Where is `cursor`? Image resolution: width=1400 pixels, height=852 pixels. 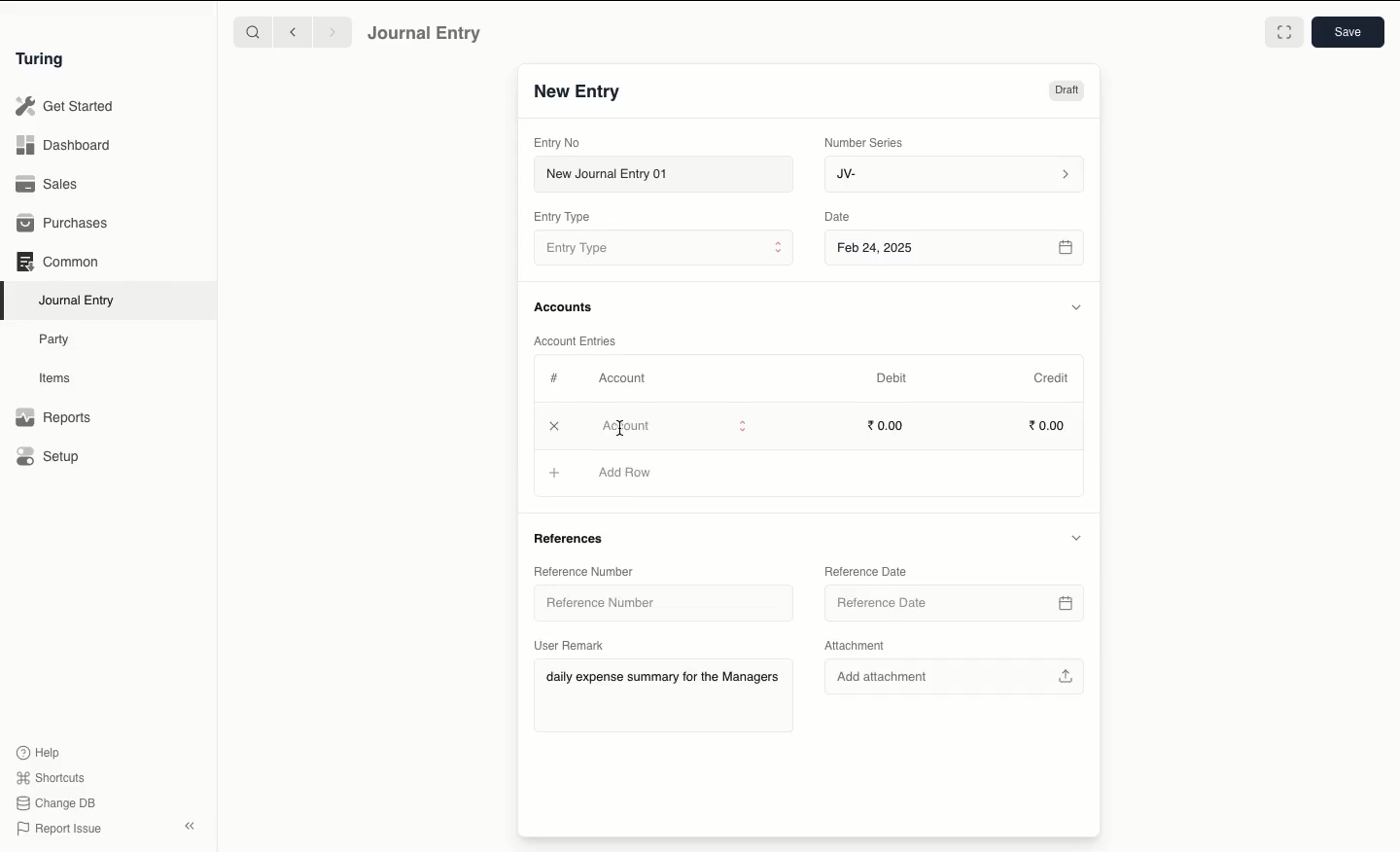
cursor is located at coordinates (622, 421).